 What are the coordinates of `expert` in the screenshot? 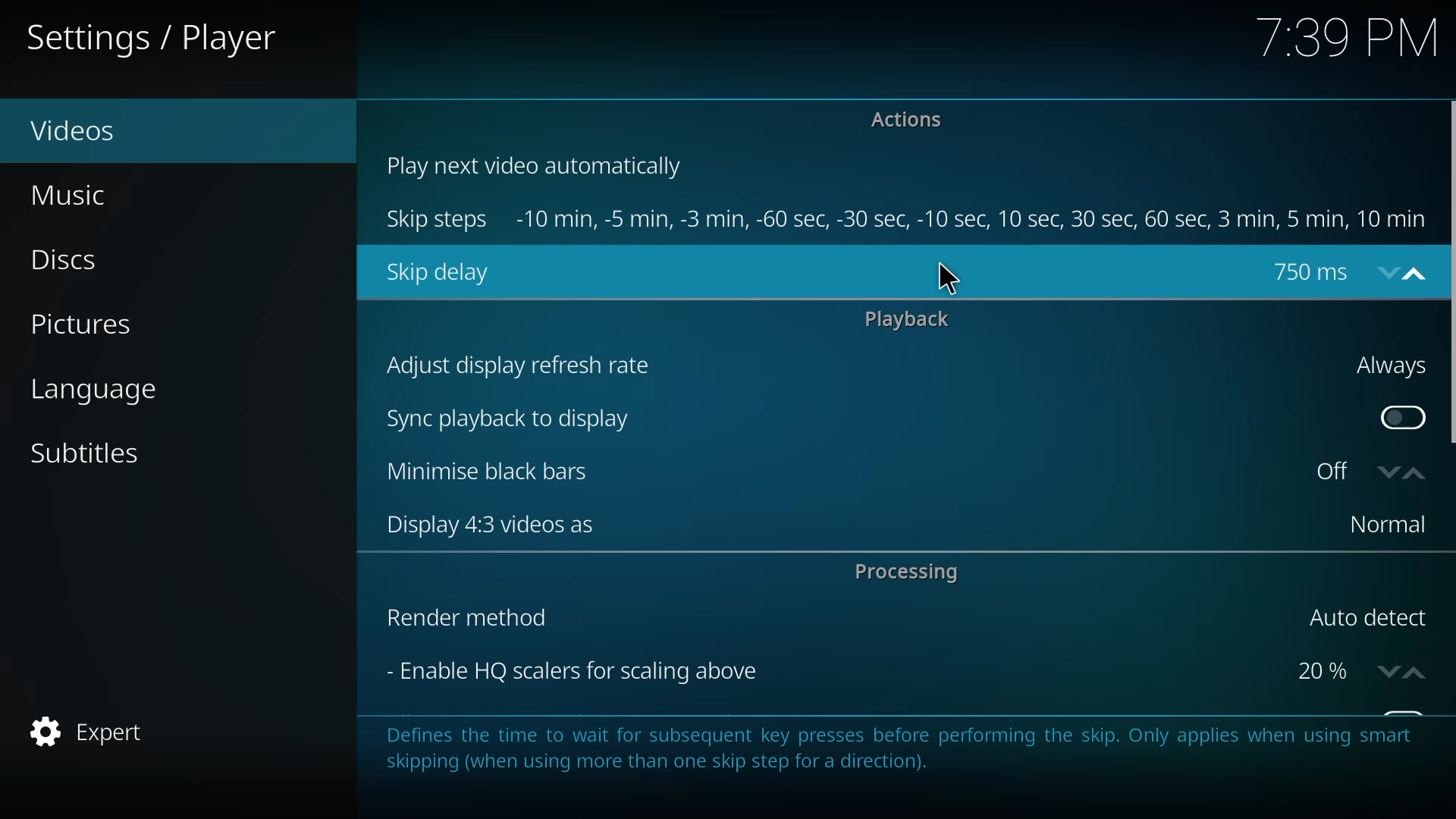 It's located at (93, 733).